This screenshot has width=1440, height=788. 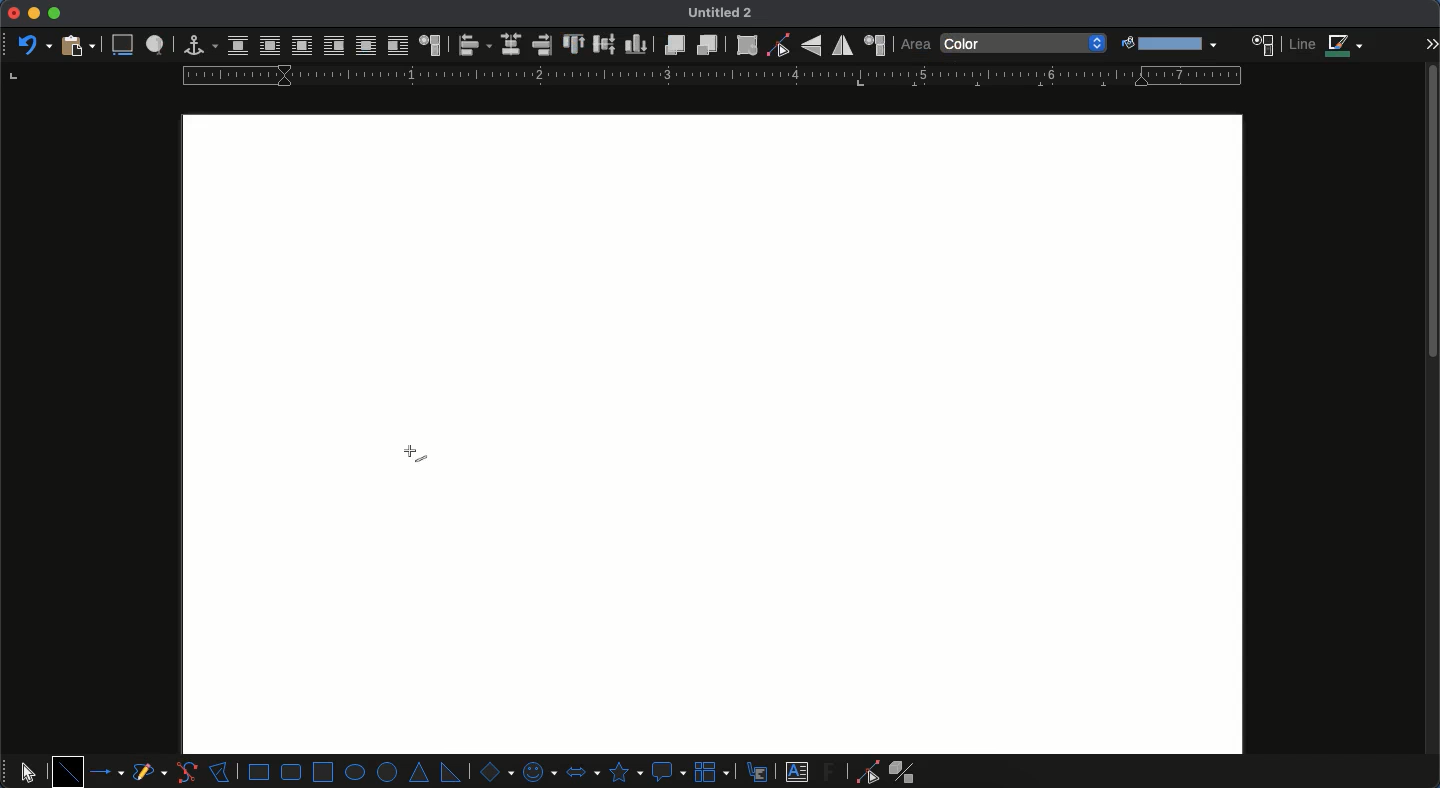 I want to click on top, so click(x=575, y=45).